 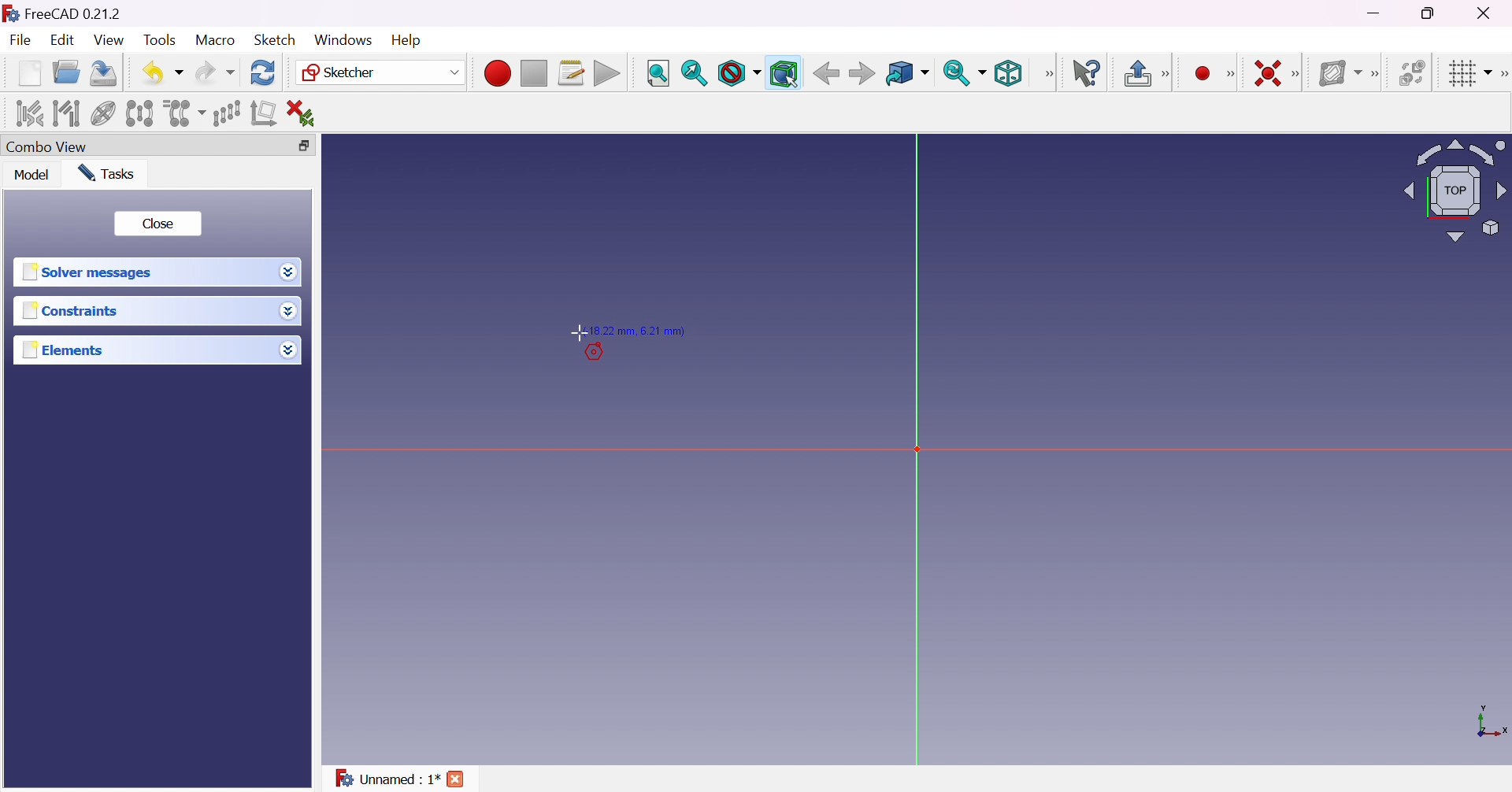 What do you see at coordinates (66, 350) in the screenshot?
I see `Elements` at bounding box center [66, 350].